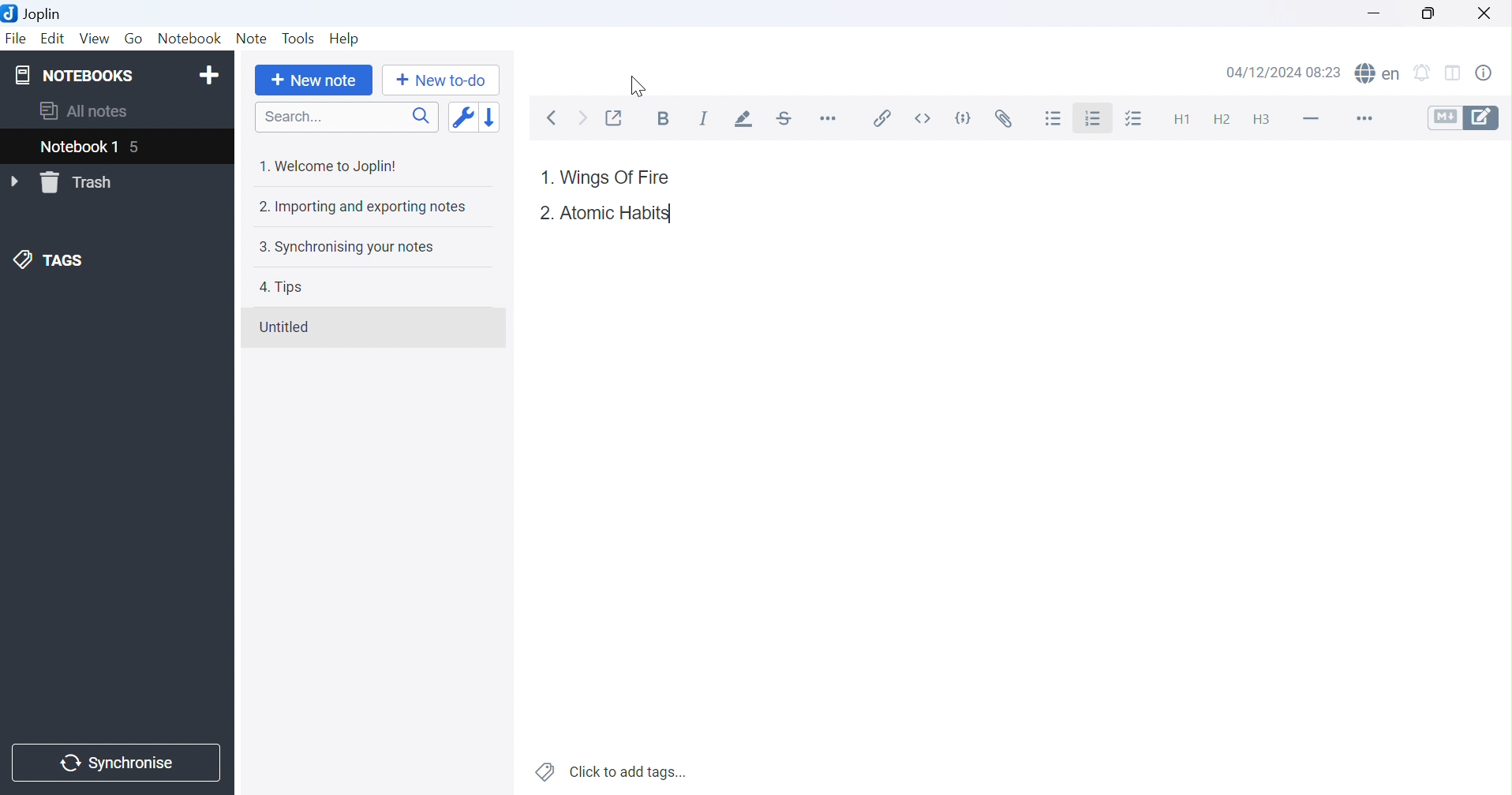  I want to click on Trash, so click(80, 183).